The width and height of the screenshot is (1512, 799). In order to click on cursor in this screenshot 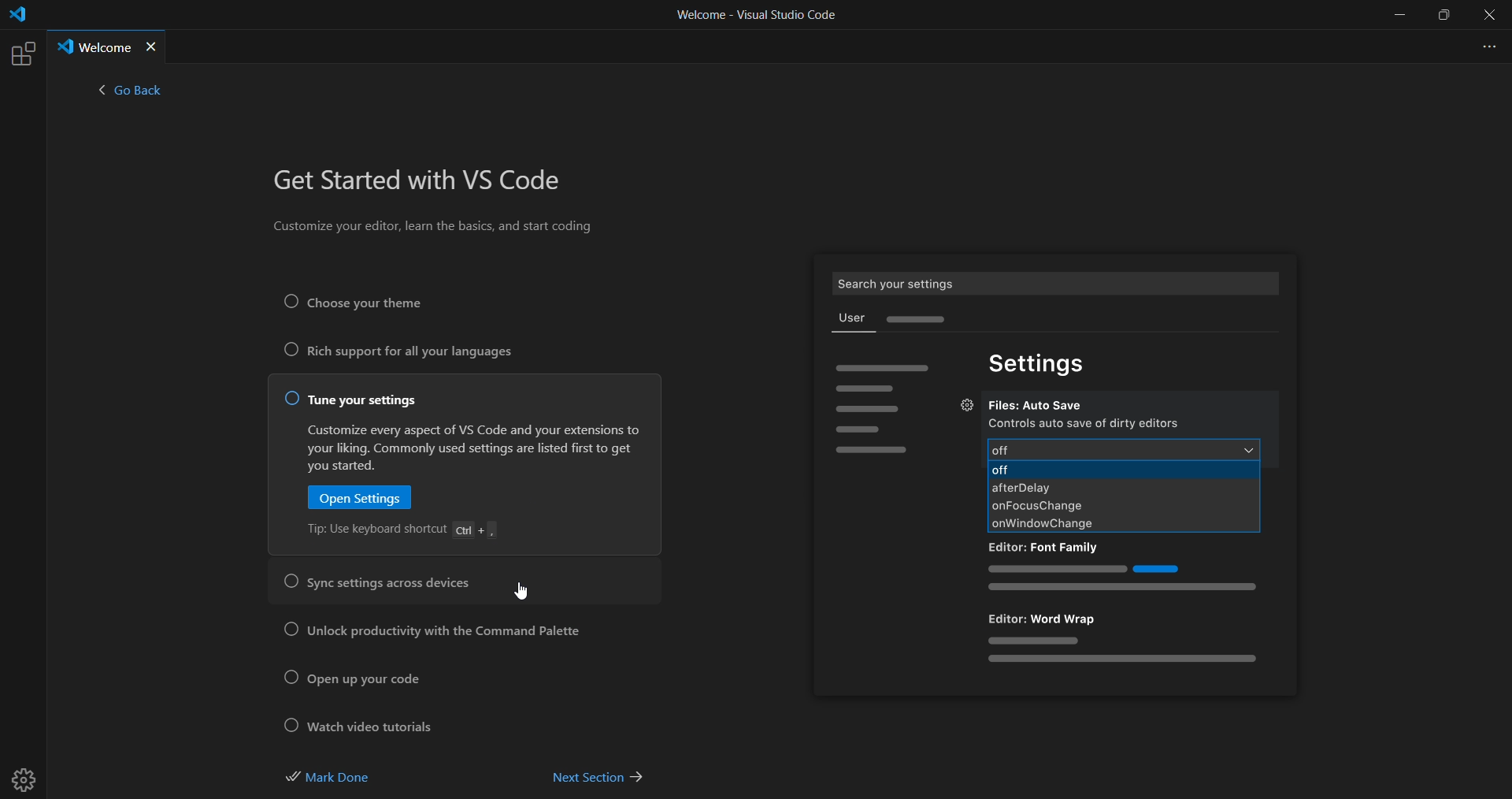, I will do `click(525, 589)`.